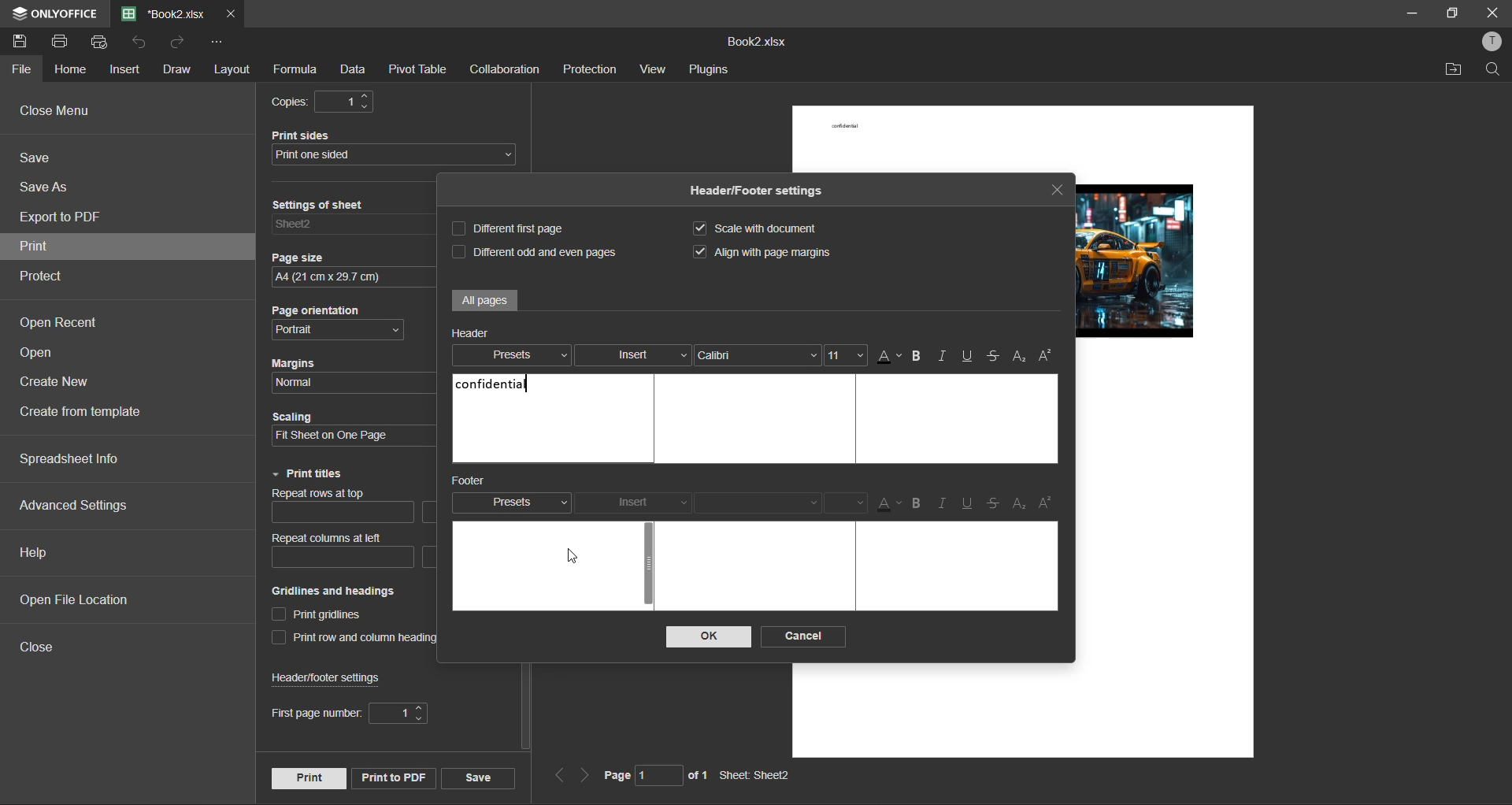 The image size is (1512, 805). I want to click on close tab, so click(1055, 193).